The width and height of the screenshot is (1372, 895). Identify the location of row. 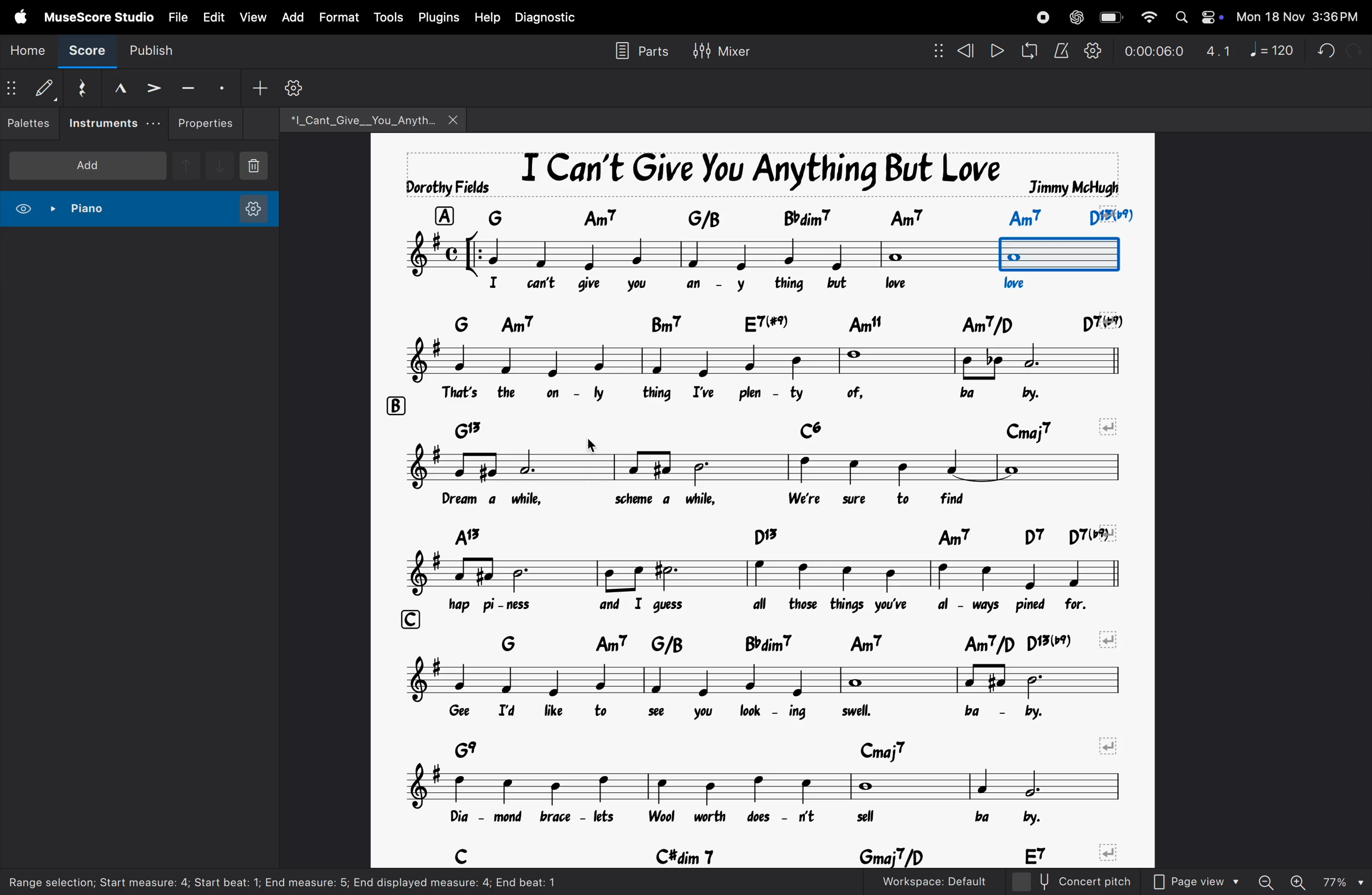
(444, 216).